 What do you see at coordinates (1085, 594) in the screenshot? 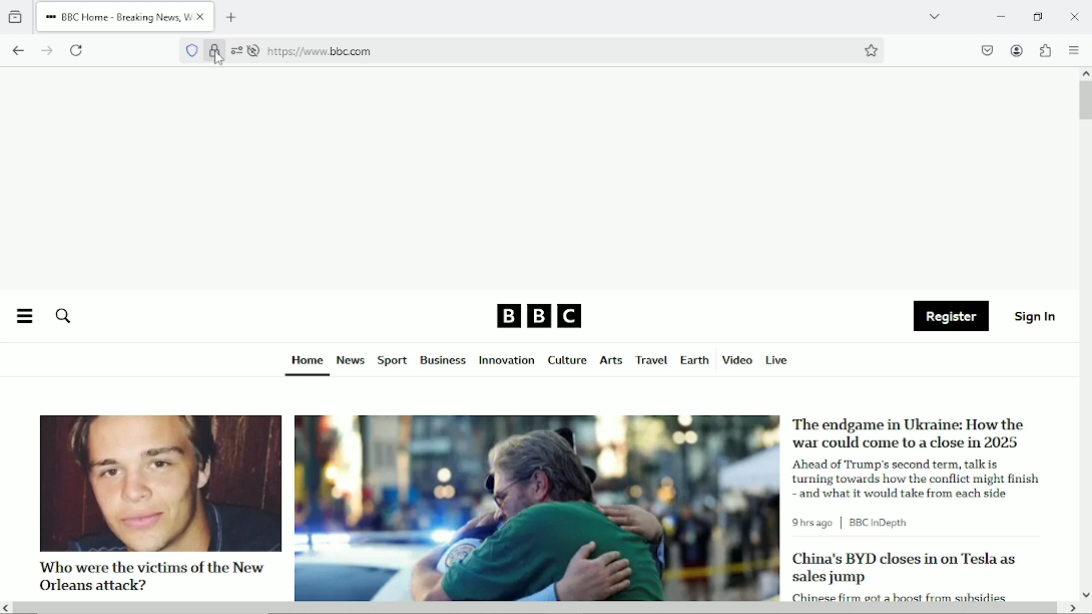
I see `scroll down` at bounding box center [1085, 594].